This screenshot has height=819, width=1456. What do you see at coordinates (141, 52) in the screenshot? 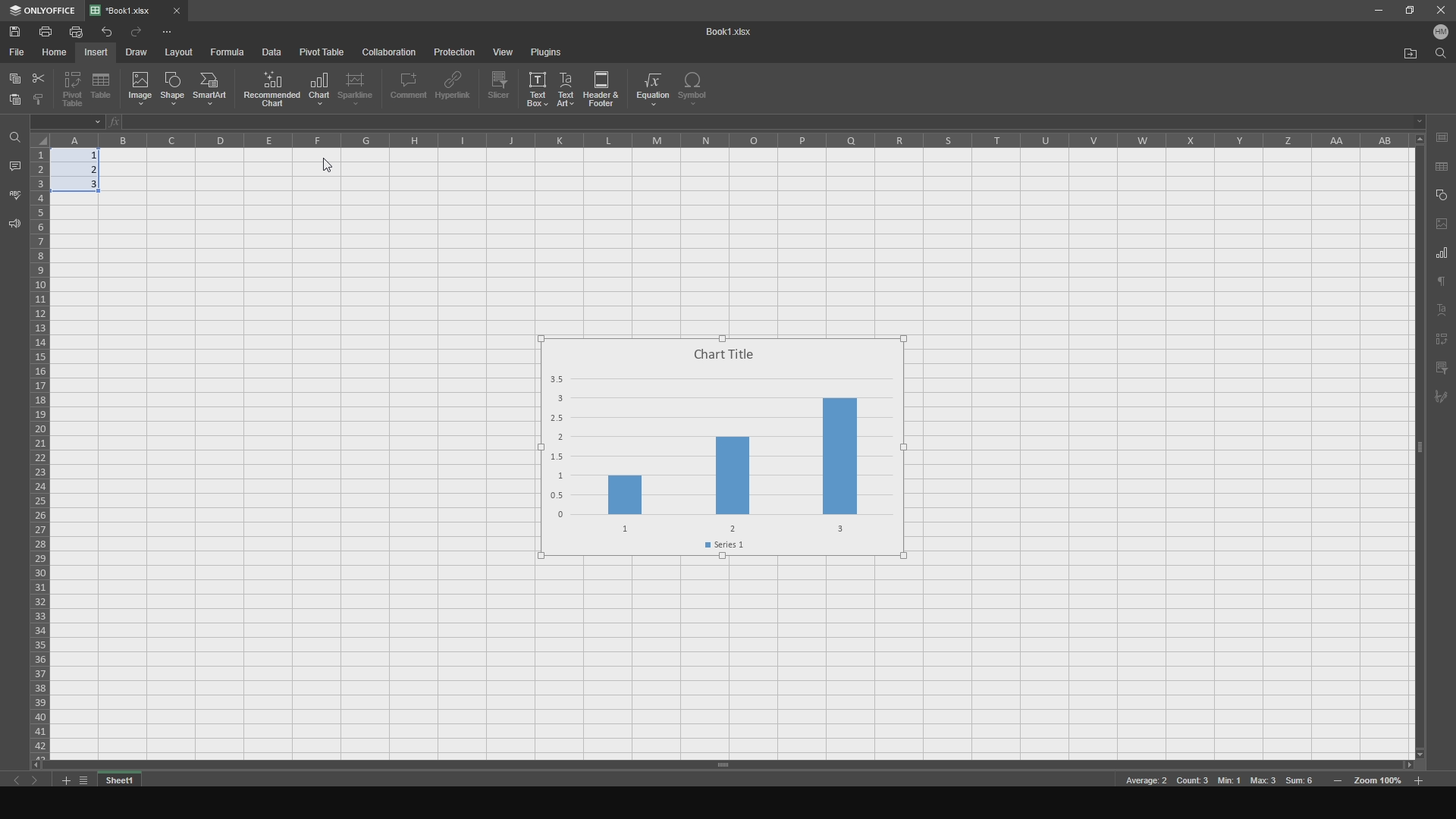
I see `draw` at bounding box center [141, 52].